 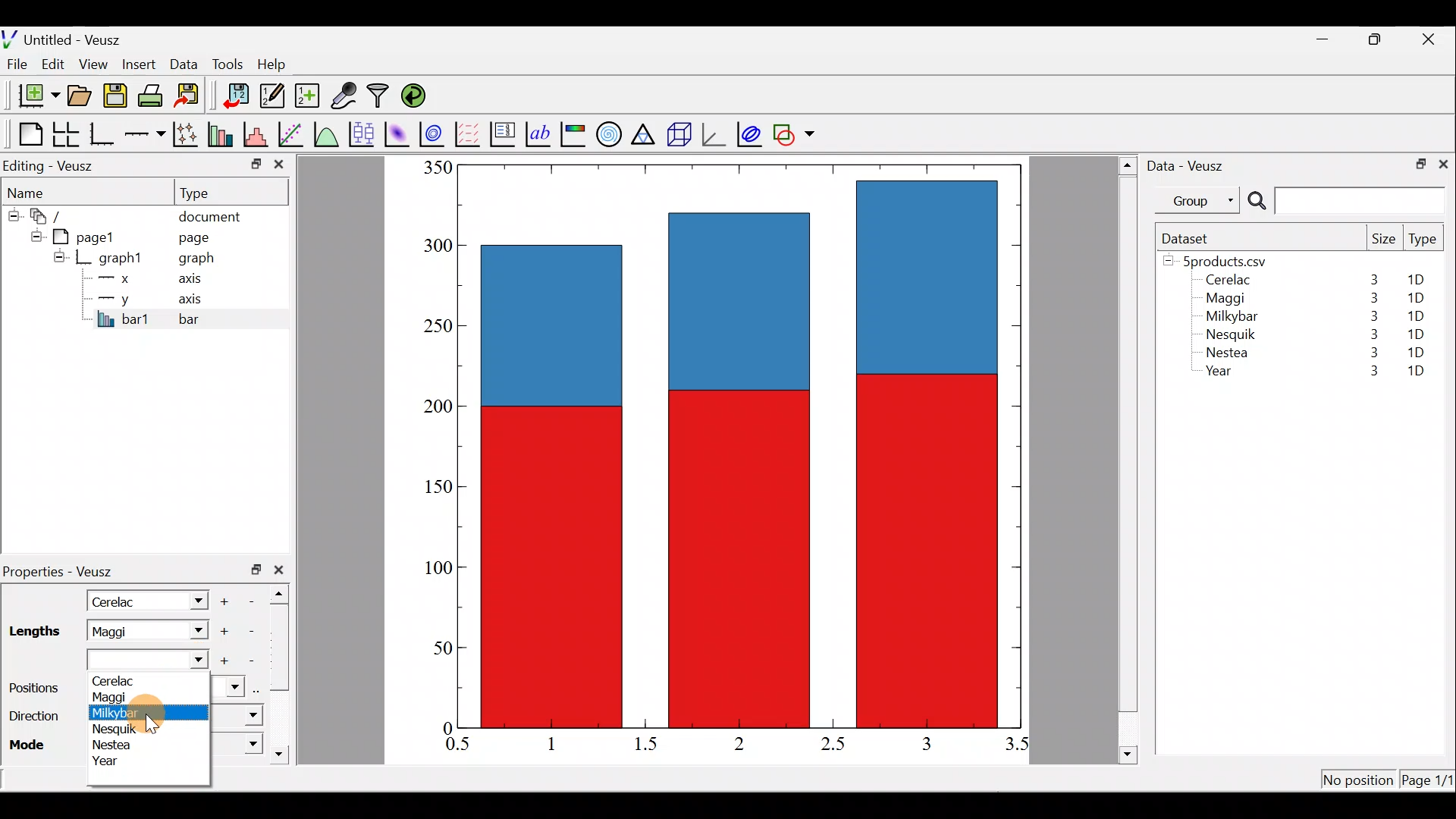 What do you see at coordinates (1370, 355) in the screenshot?
I see `3` at bounding box center [1370, 355].